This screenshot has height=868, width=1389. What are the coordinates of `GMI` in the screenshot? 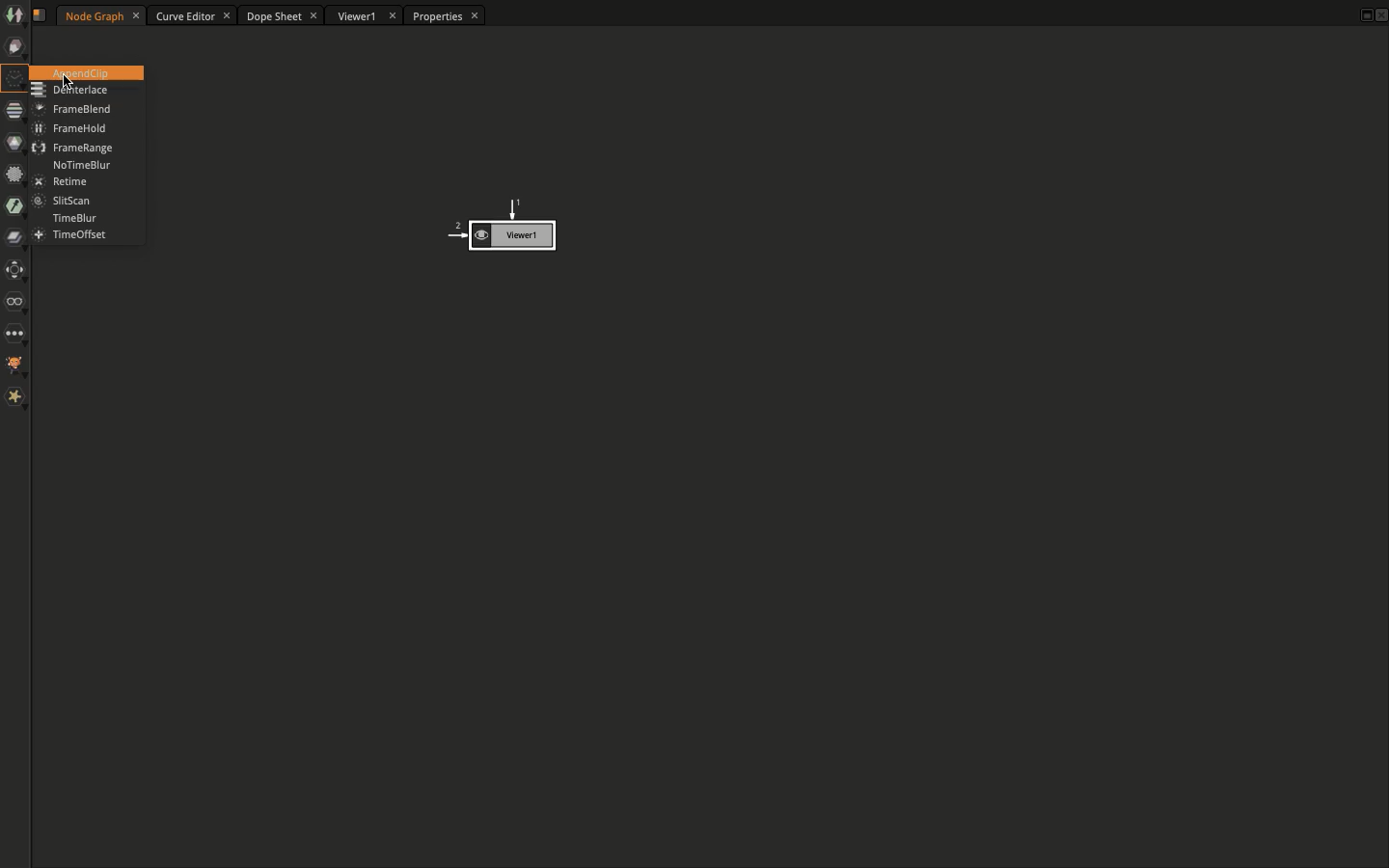 It's located at (16, 366).